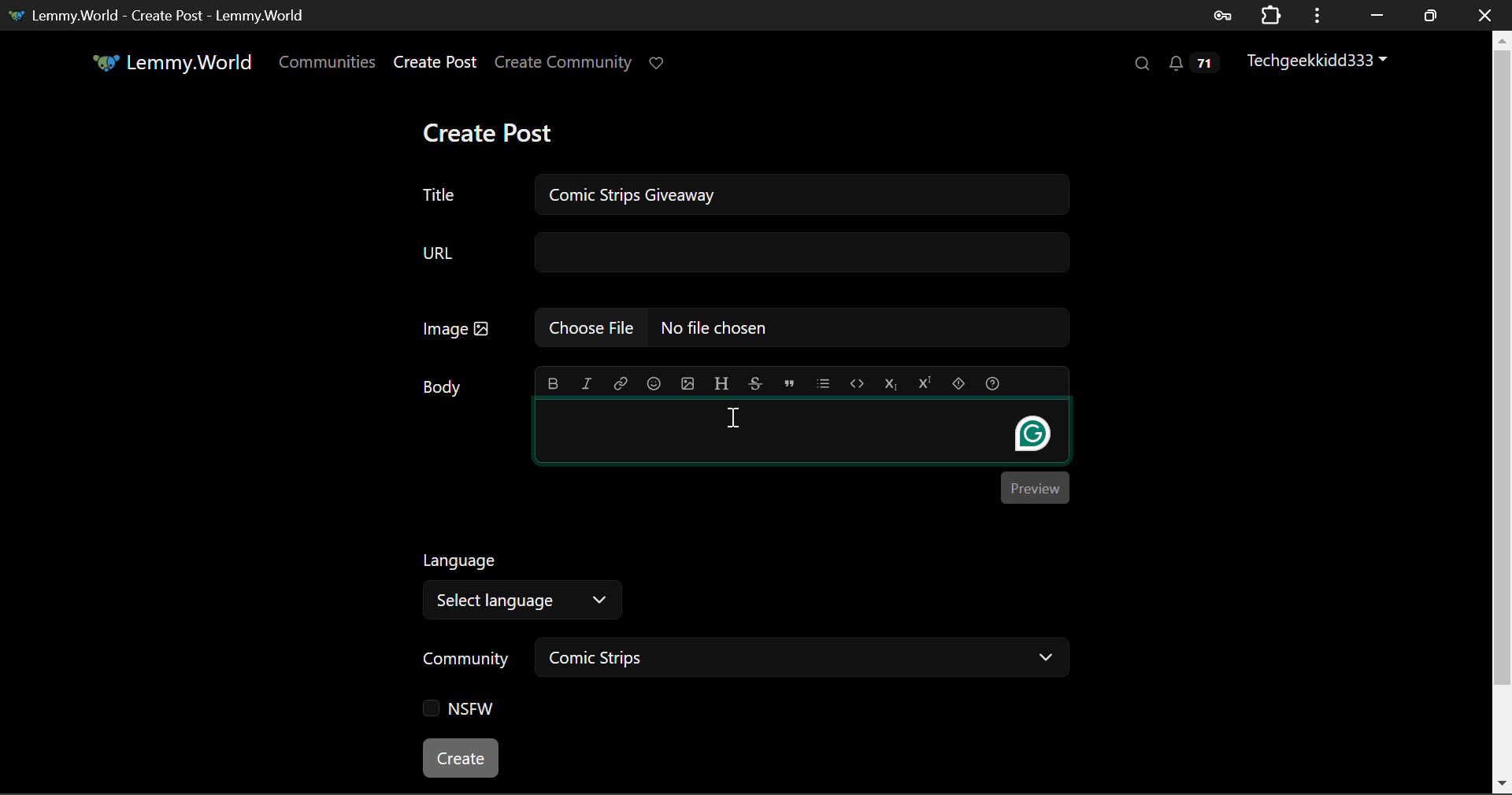  I want to click on list, so click(823, 380).